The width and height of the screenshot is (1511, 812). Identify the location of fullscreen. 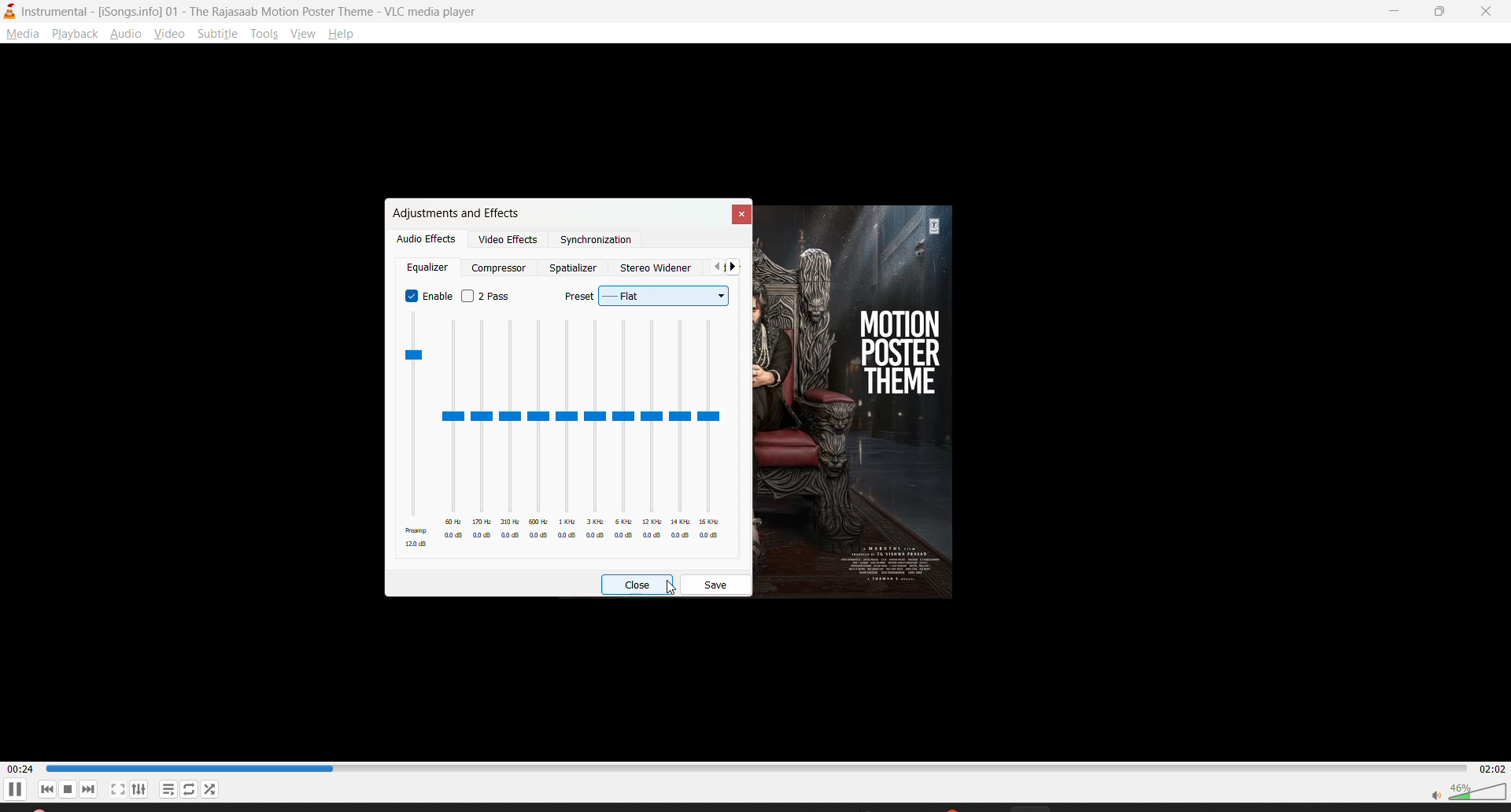
(118, 789).